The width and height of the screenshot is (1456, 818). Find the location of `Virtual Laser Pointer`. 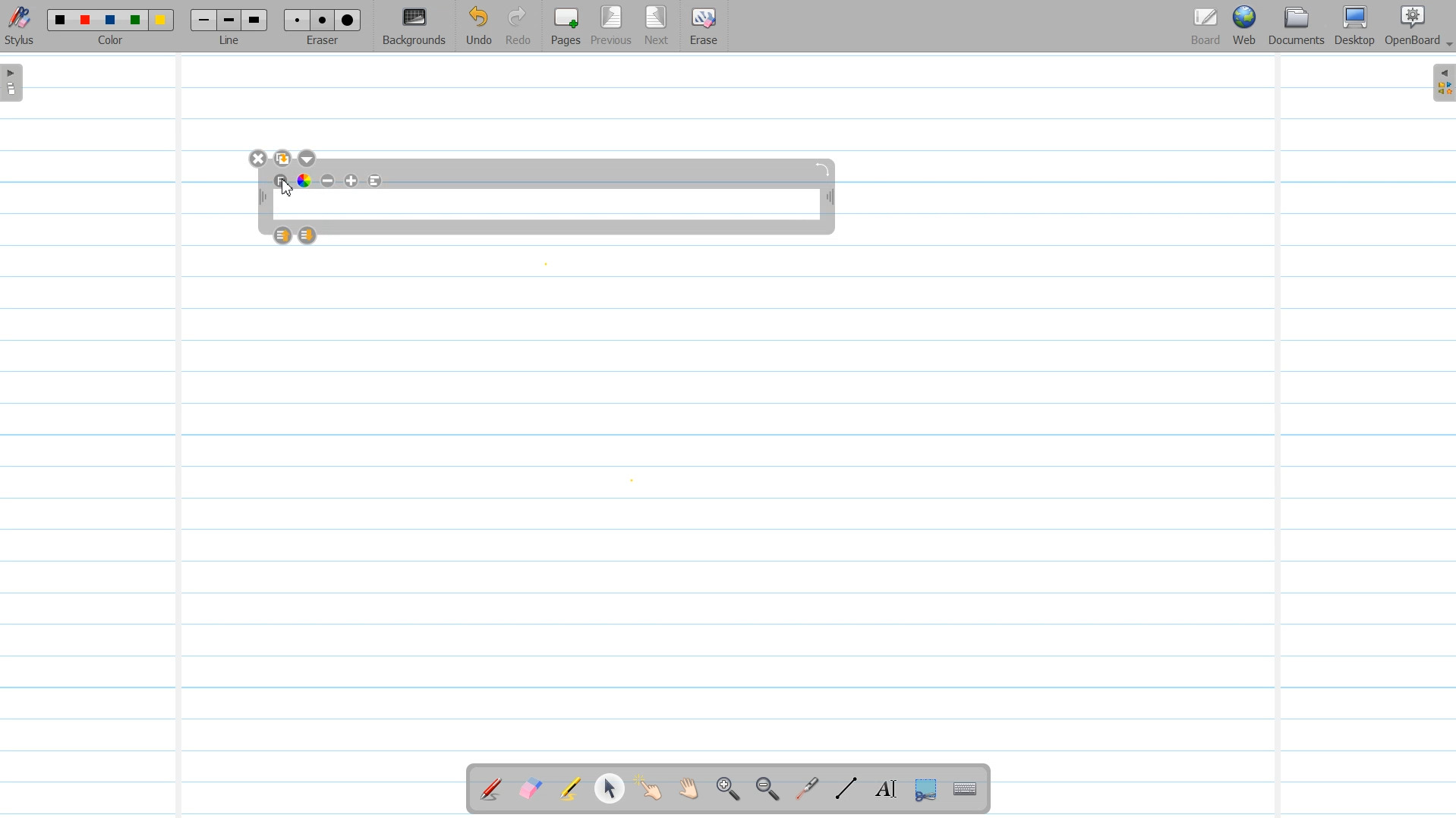

Virtual Laser Pointer is located at coordinates (803, 790).